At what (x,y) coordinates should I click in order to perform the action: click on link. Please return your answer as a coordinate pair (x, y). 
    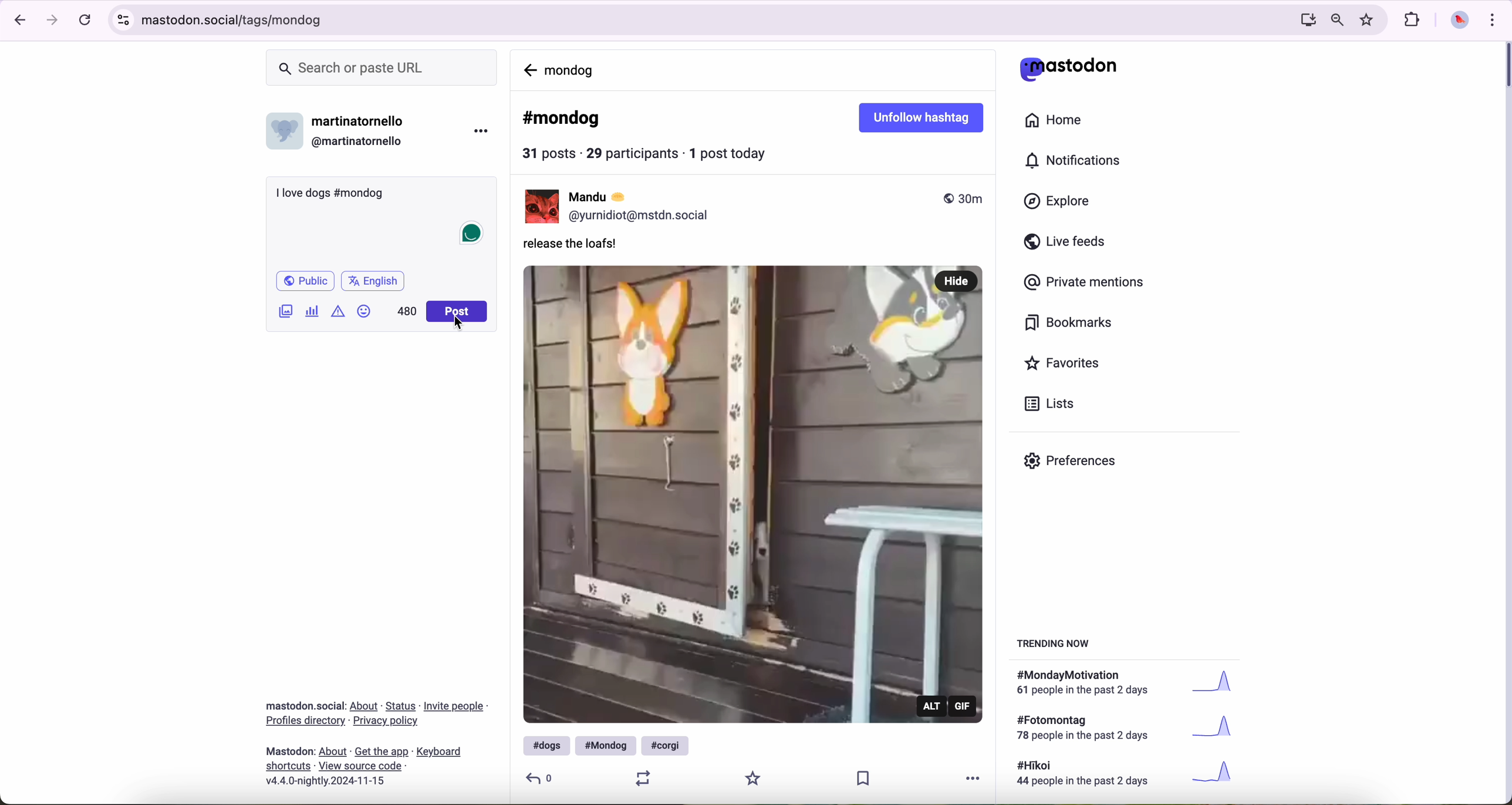
    Looking at the image, I should click on (387, 720).